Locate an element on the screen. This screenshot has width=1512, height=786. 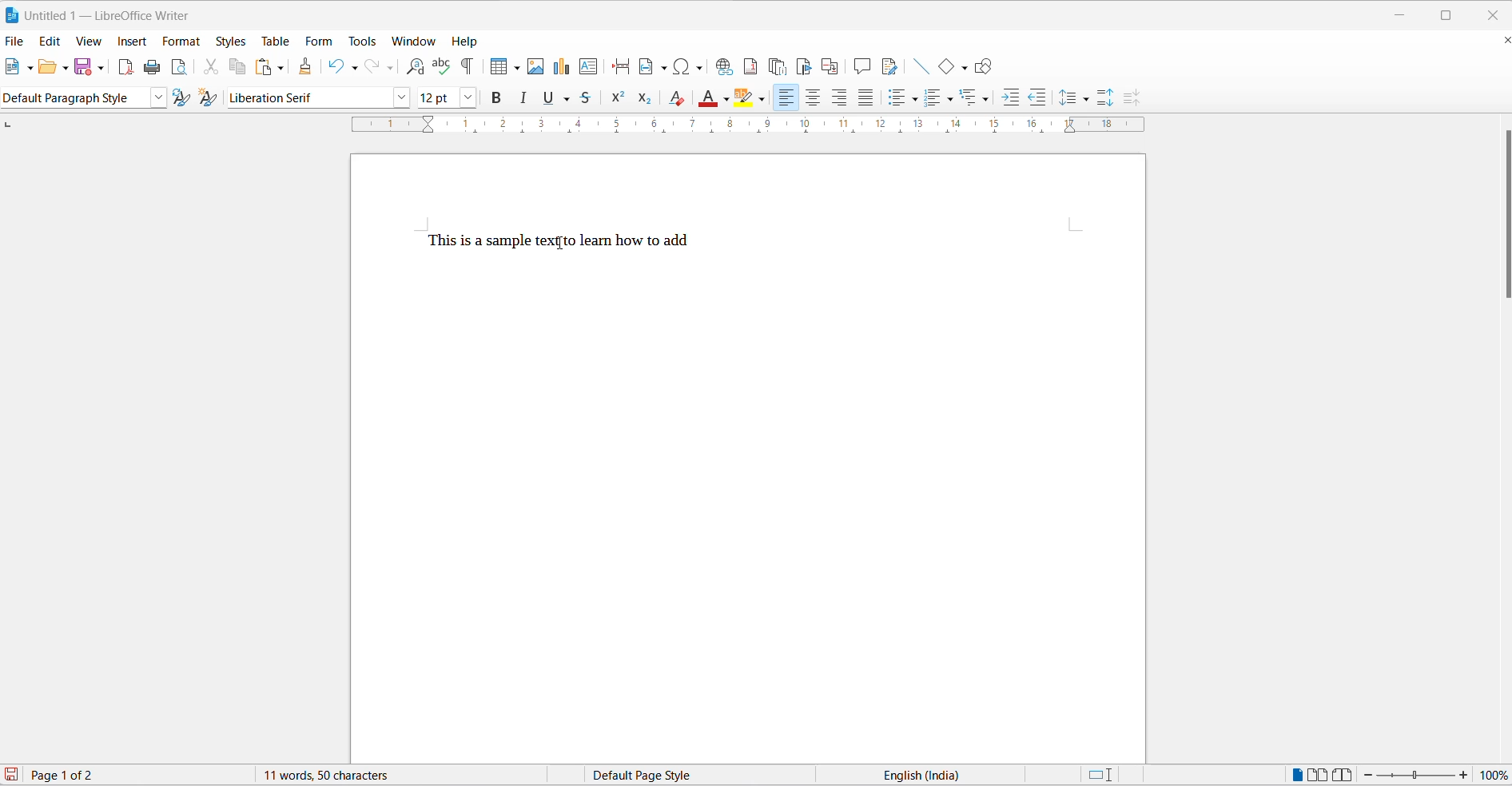
insert footnote is located at coordinates (751, 66).